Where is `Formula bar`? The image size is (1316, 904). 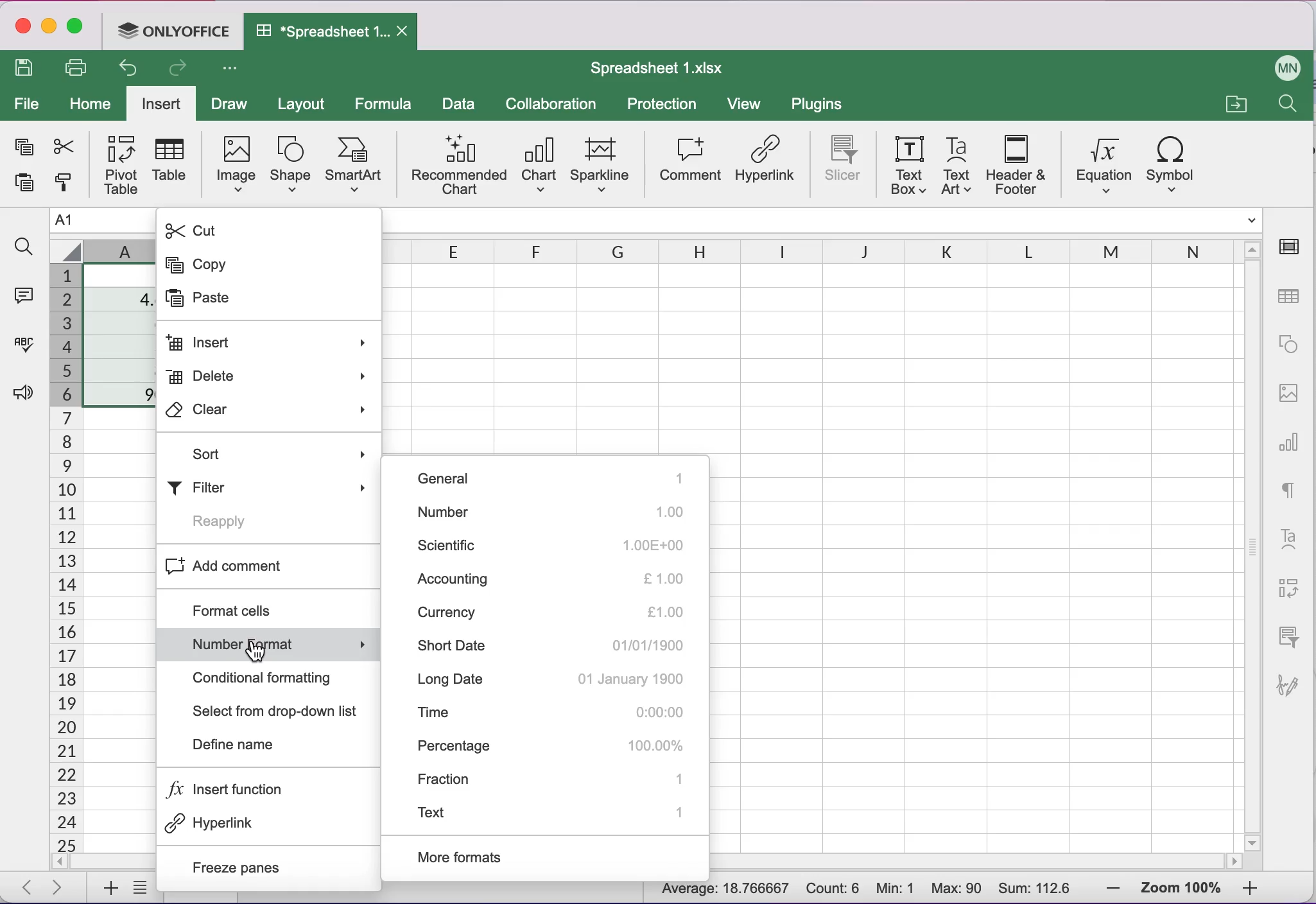 Formula bar is located at coordinates (824, 222).